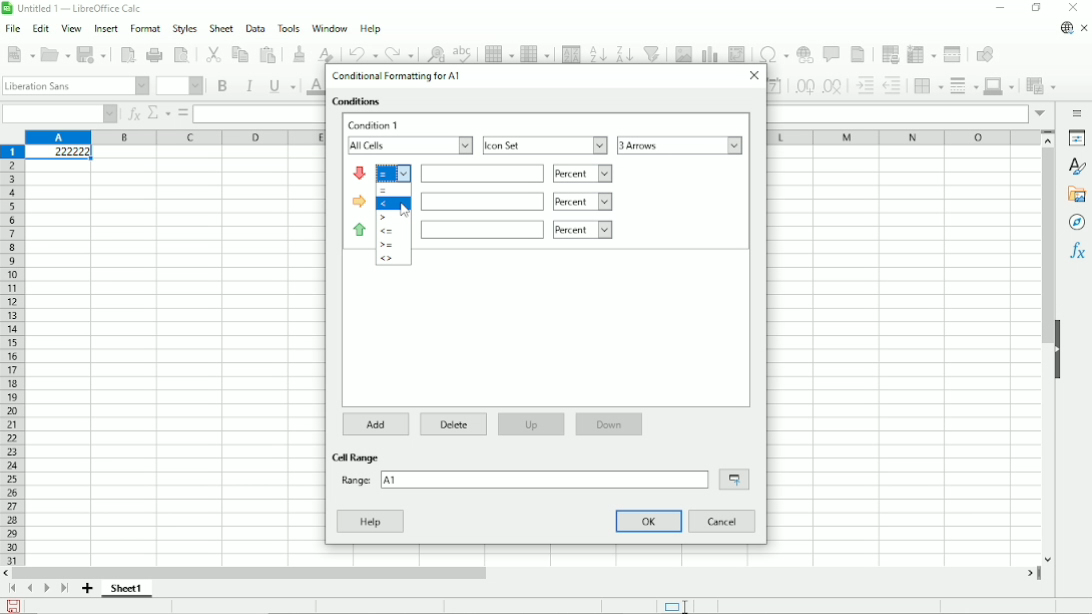 The width and height of the screenshot is (1092, 614). Describe the element at coordinates (378, 424) in the screenshot. I see `Add` at that location.